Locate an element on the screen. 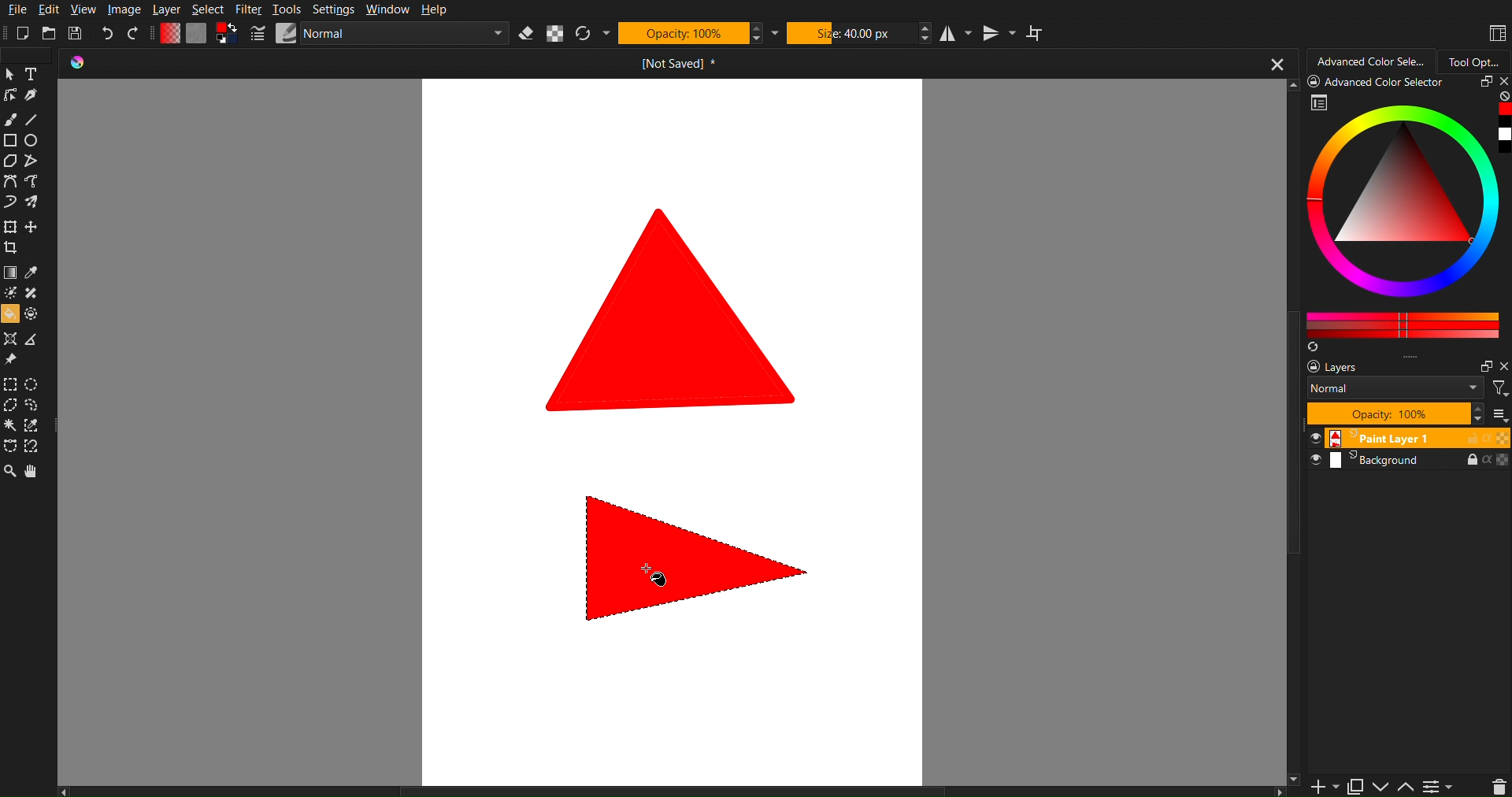 Image resolution: width=1512 pixels, height=797 pixels. Free shape is located at coordinates (32, 202).